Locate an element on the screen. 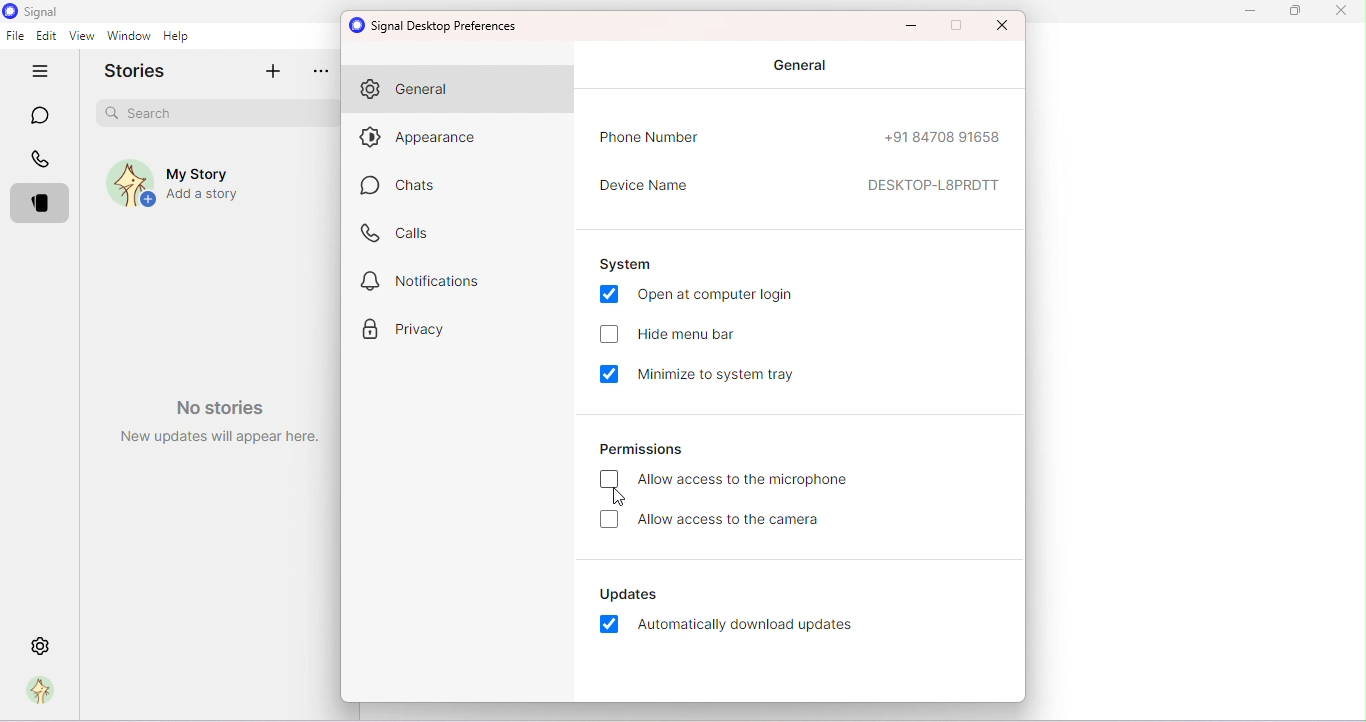 This screenshot has width=1366, height=722. Allow access to the camera is located at coordinates (715, 522).